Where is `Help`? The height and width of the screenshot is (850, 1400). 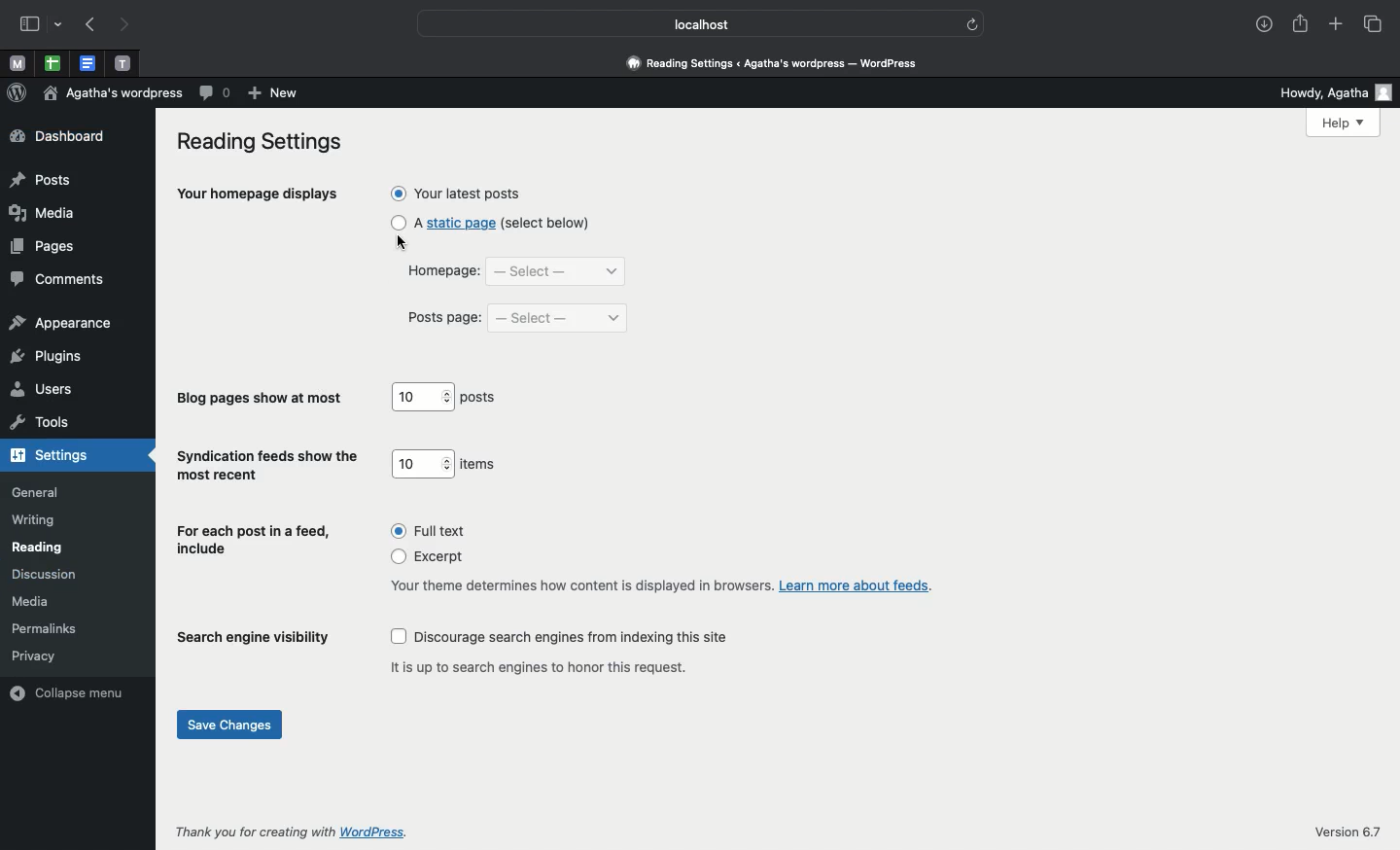 Help is located at coordinates (1346, 124).